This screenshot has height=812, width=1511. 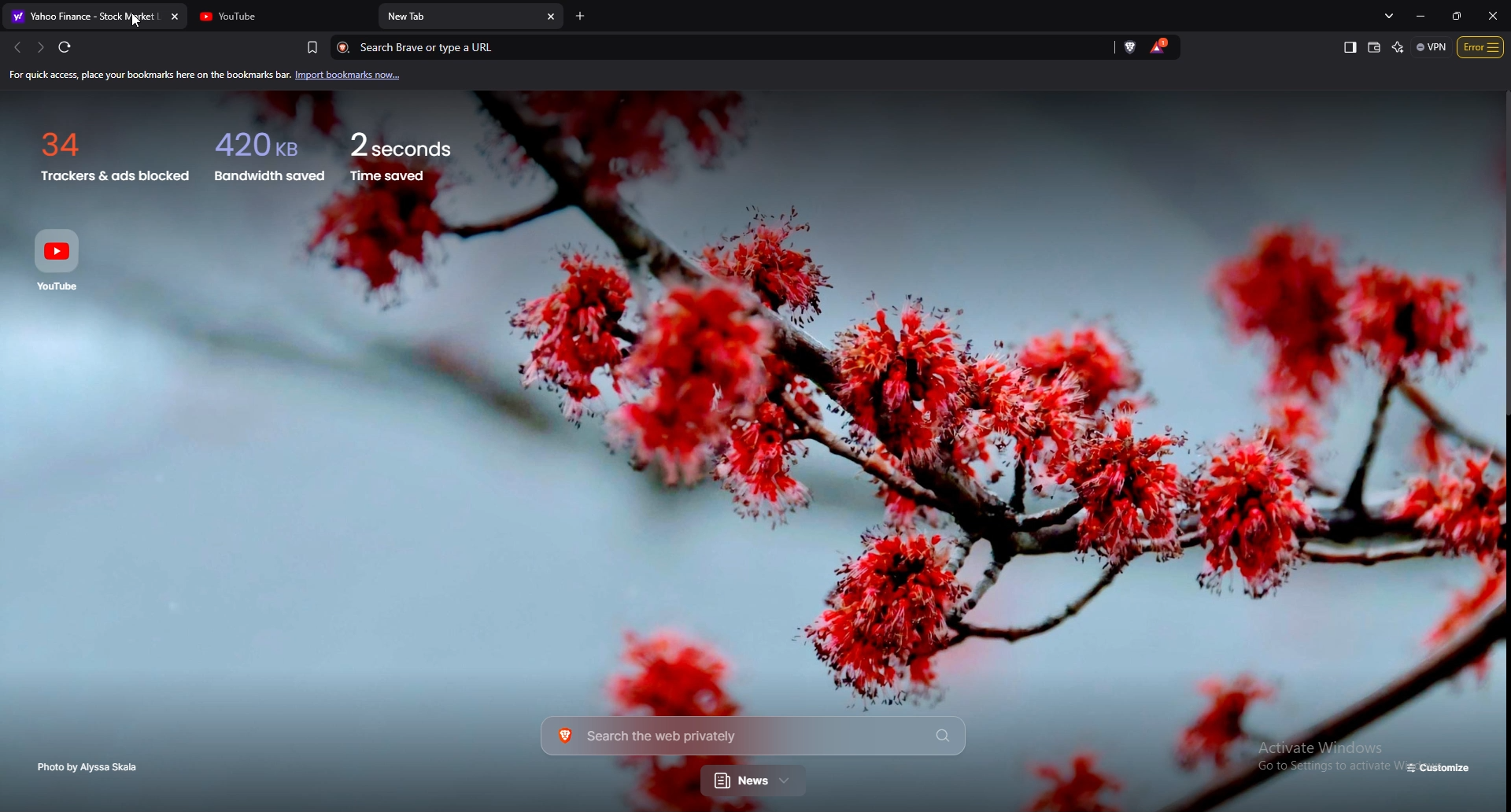 I want to click on show sidebar, so click(x=1350, y=48).